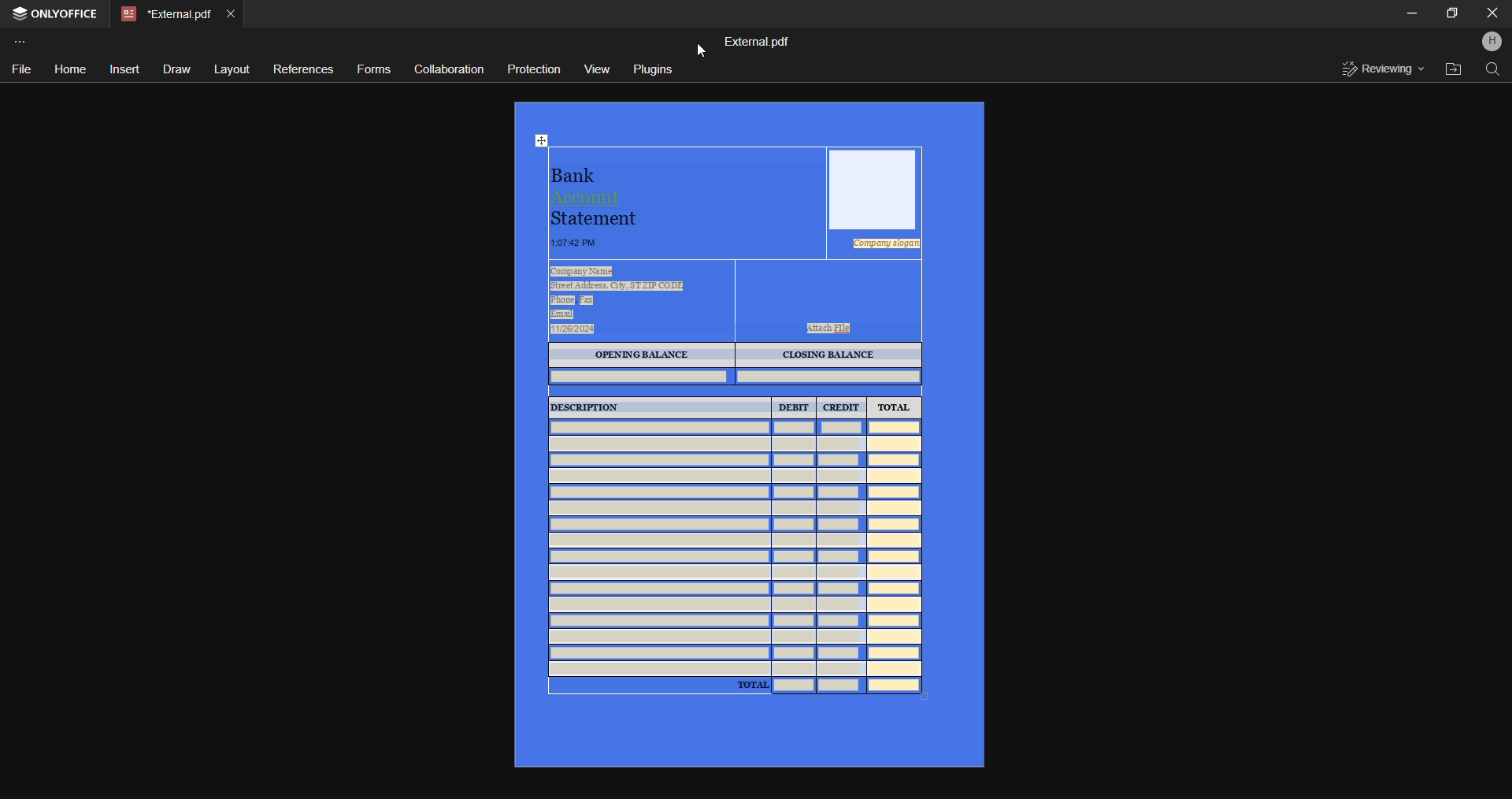  Describe the element at coordinates (232, 12) in the screenshot. I see `Close Current tab` at that location.